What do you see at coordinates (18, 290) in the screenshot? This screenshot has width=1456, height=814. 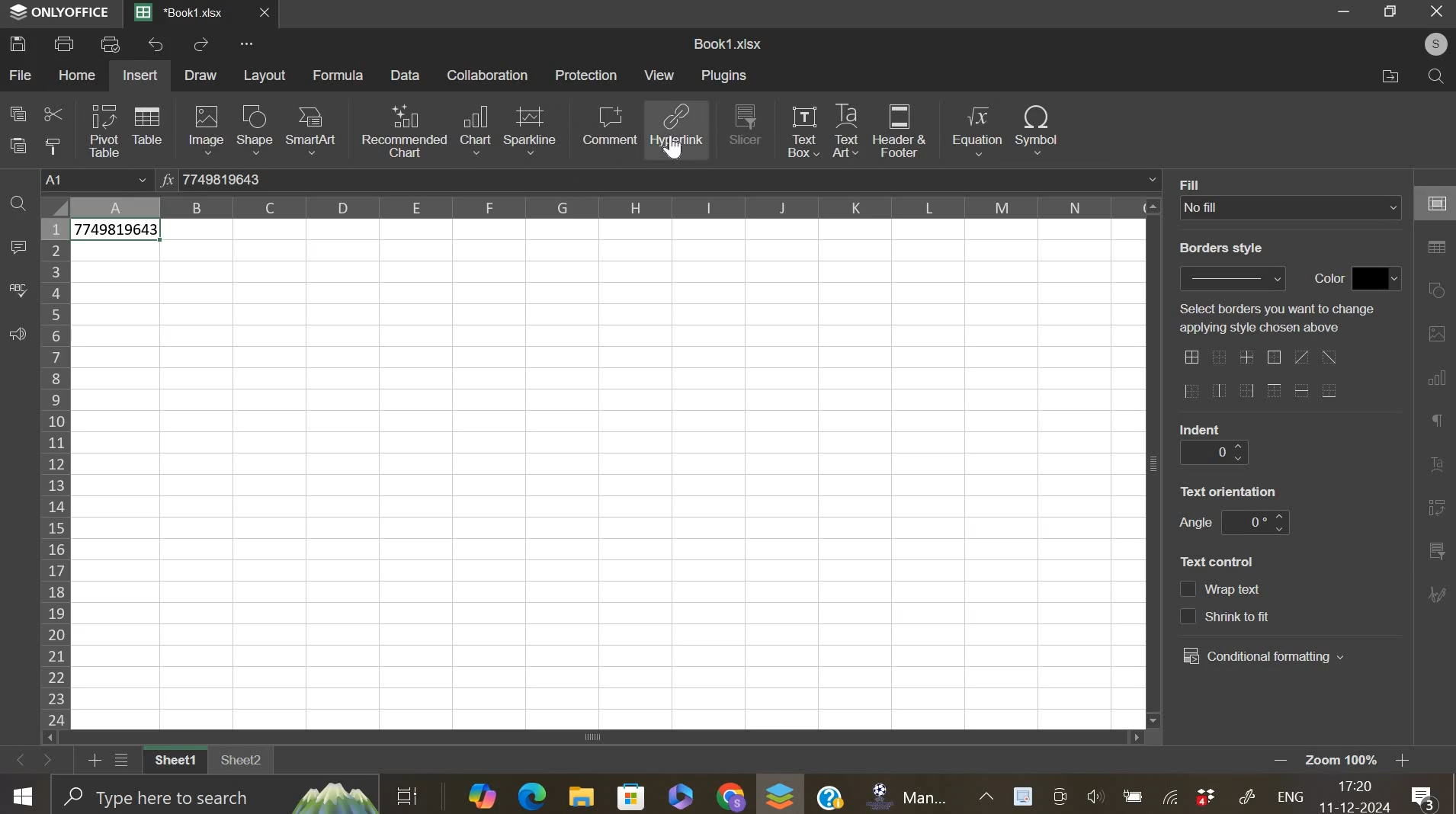 I see `spelling` at bounding box center [18, 290].